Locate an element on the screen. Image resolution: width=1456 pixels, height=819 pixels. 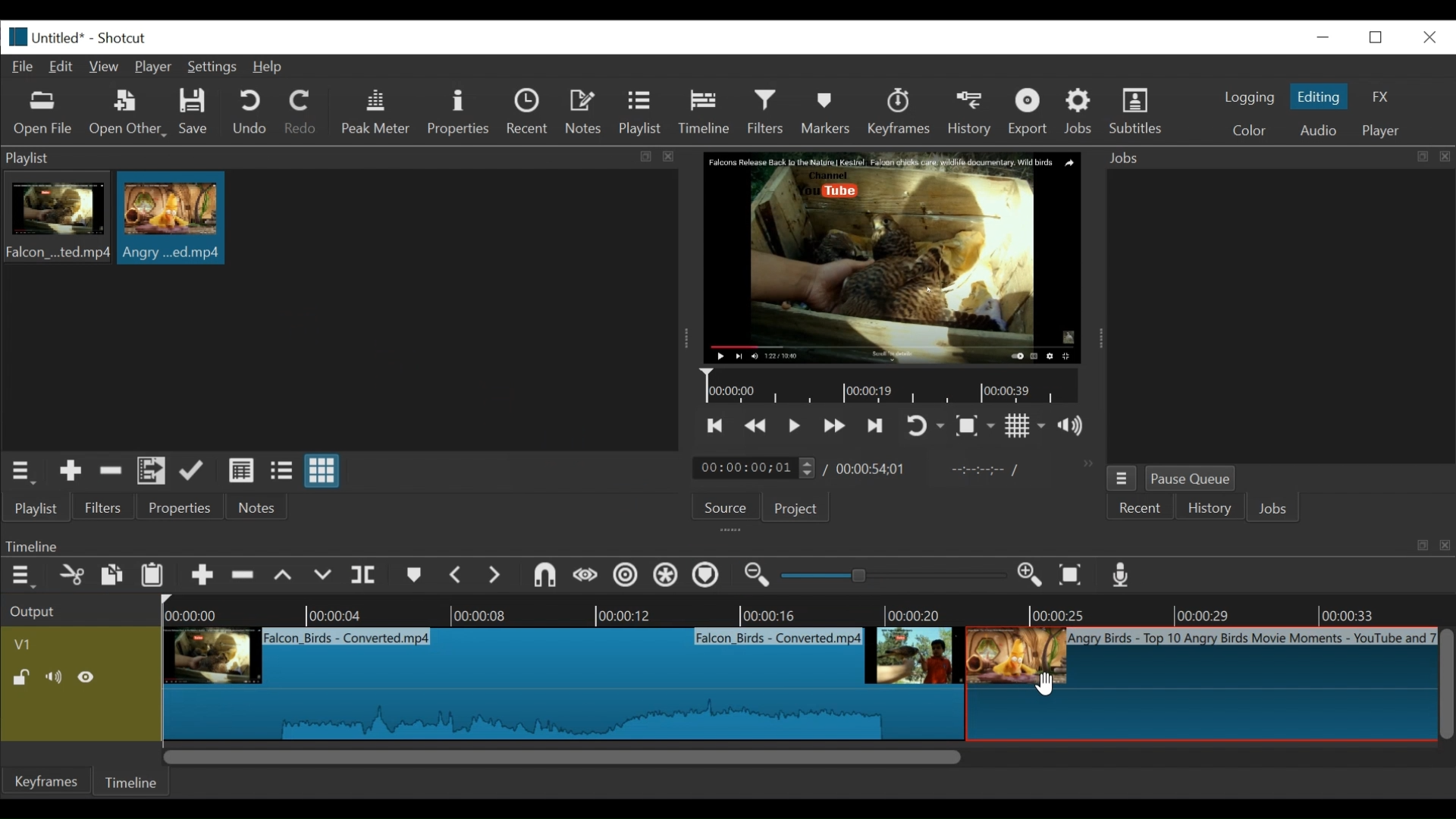
Add the source to the playlist is located at coordinates (69, 473).